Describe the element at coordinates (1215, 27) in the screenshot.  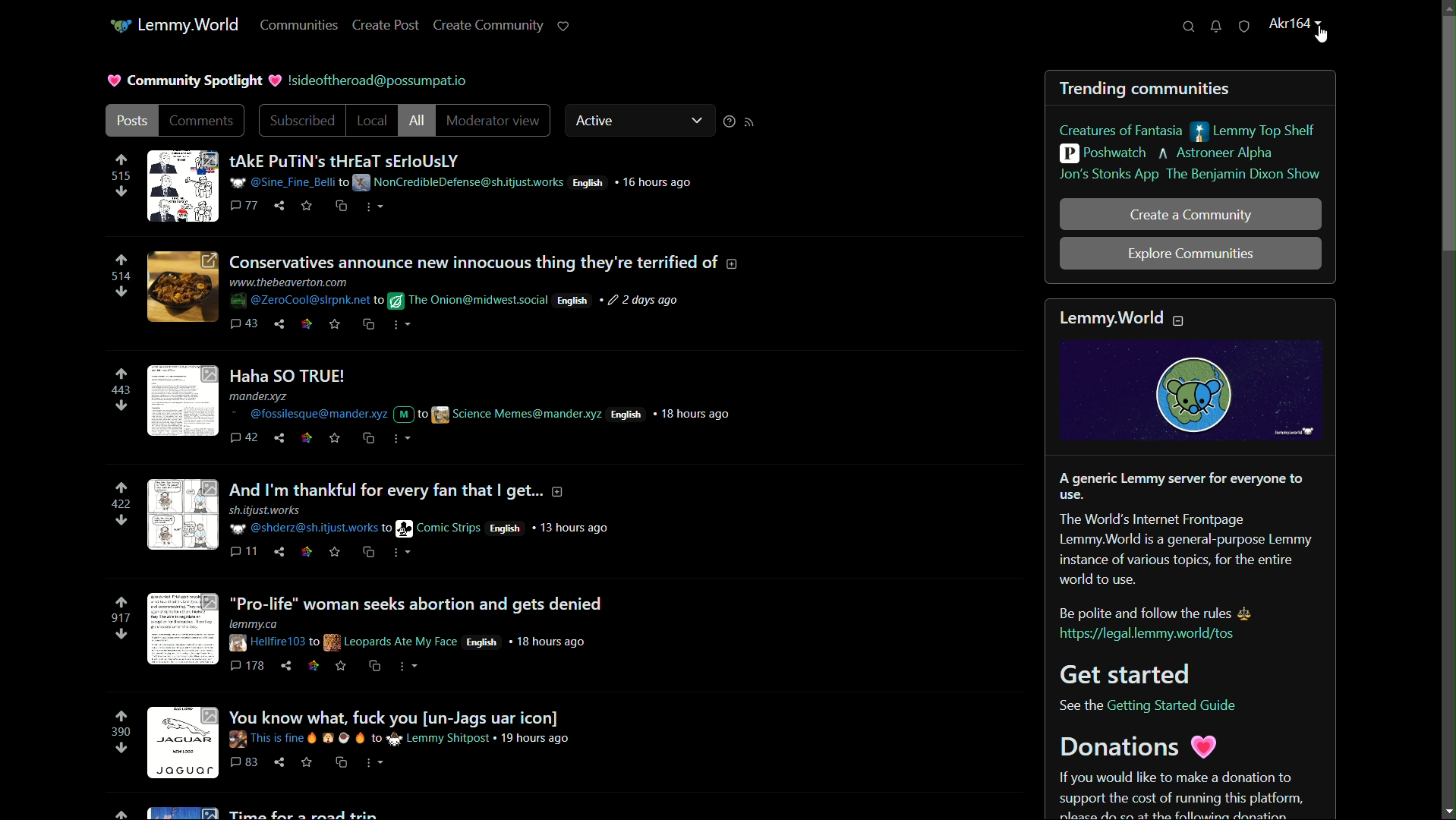
I see `unread messages` at that location.